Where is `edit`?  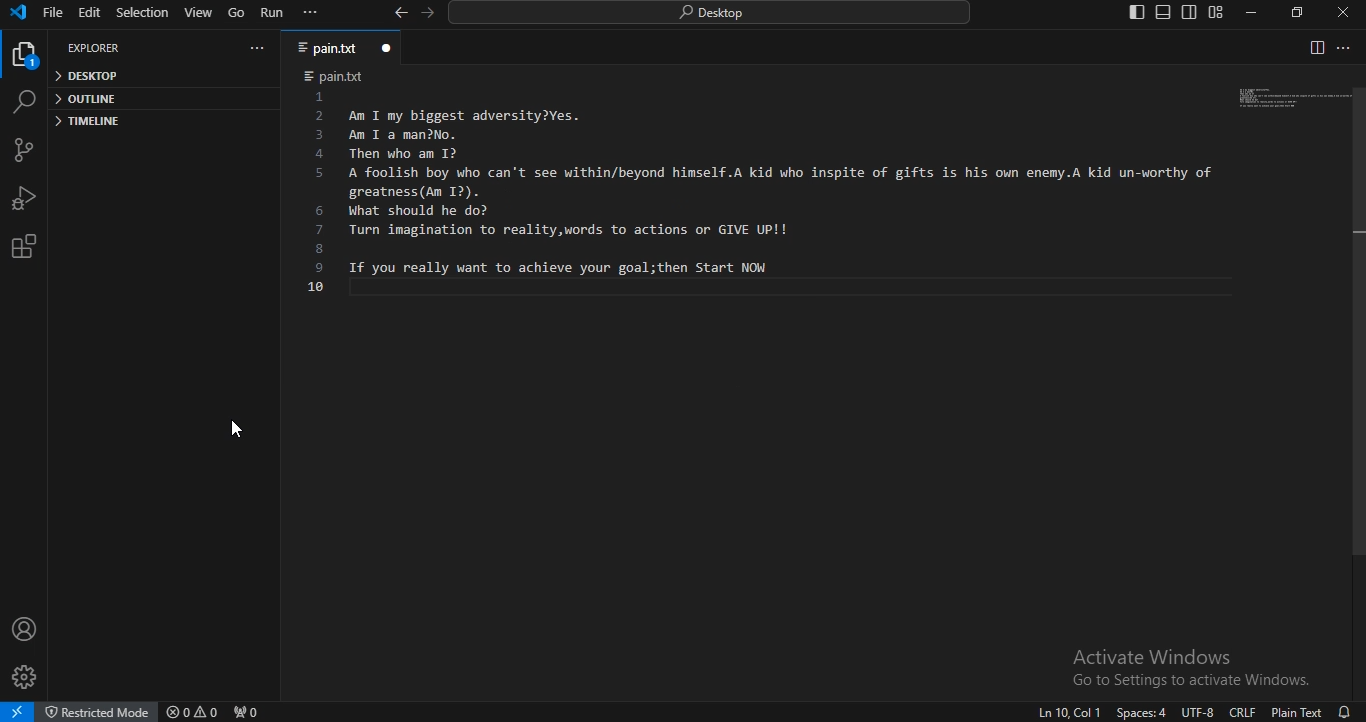
edit is located at coordinates (89, 14).